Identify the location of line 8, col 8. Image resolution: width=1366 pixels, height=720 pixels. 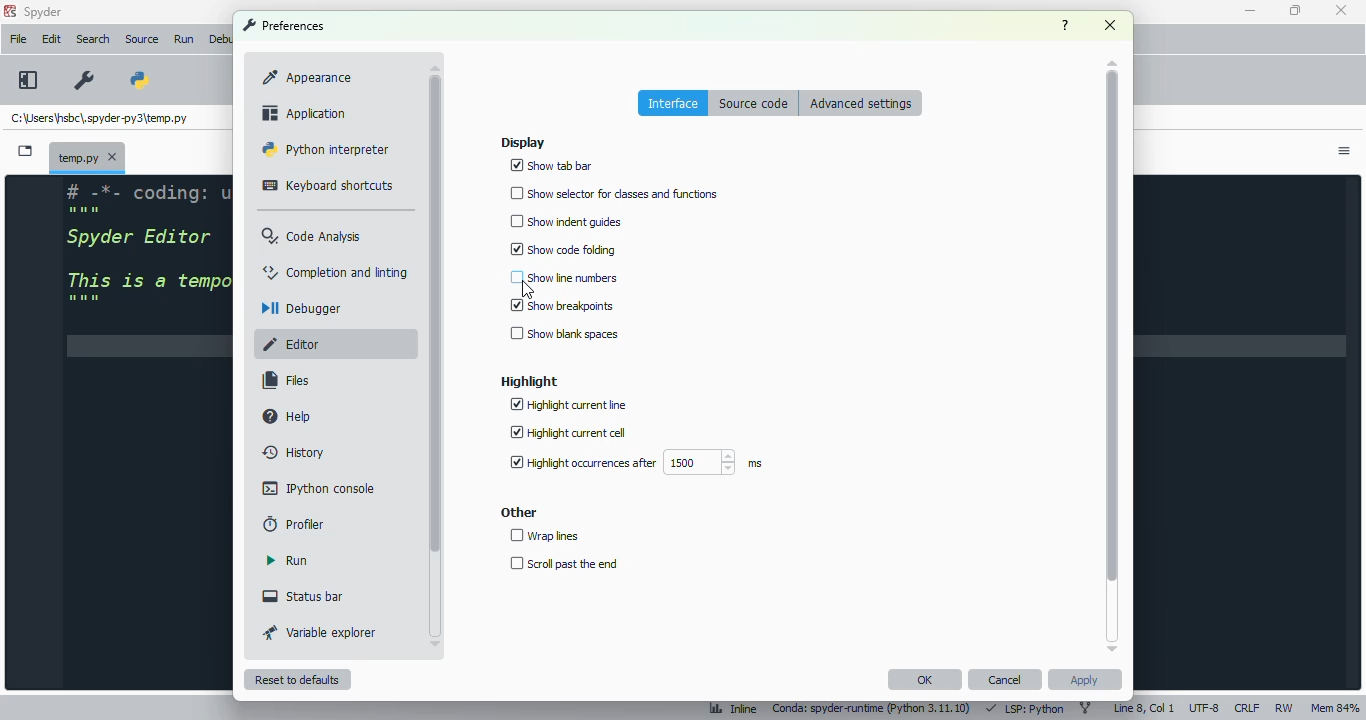
(1144, 707).